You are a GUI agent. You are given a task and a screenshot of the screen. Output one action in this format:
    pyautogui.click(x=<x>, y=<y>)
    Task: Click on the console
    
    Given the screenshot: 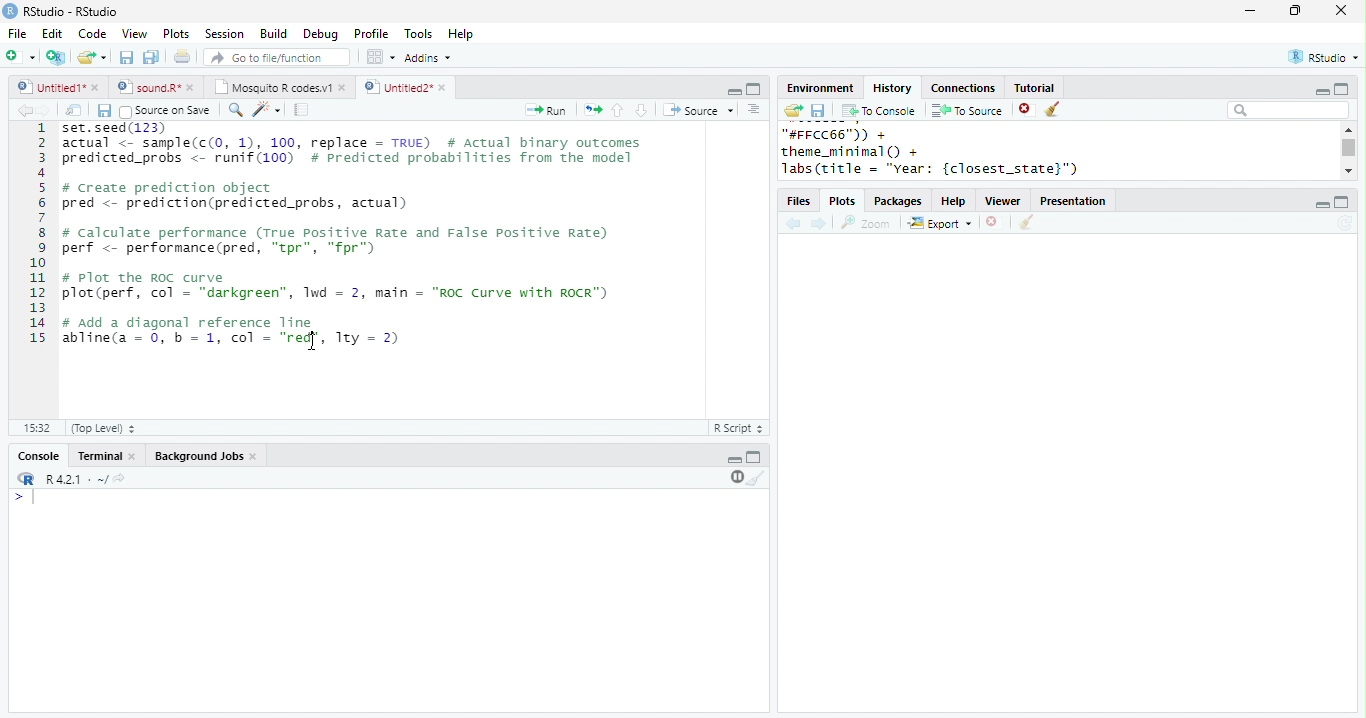 What is the action you would take?
    pyautogui.click(x=37, y=457)
    